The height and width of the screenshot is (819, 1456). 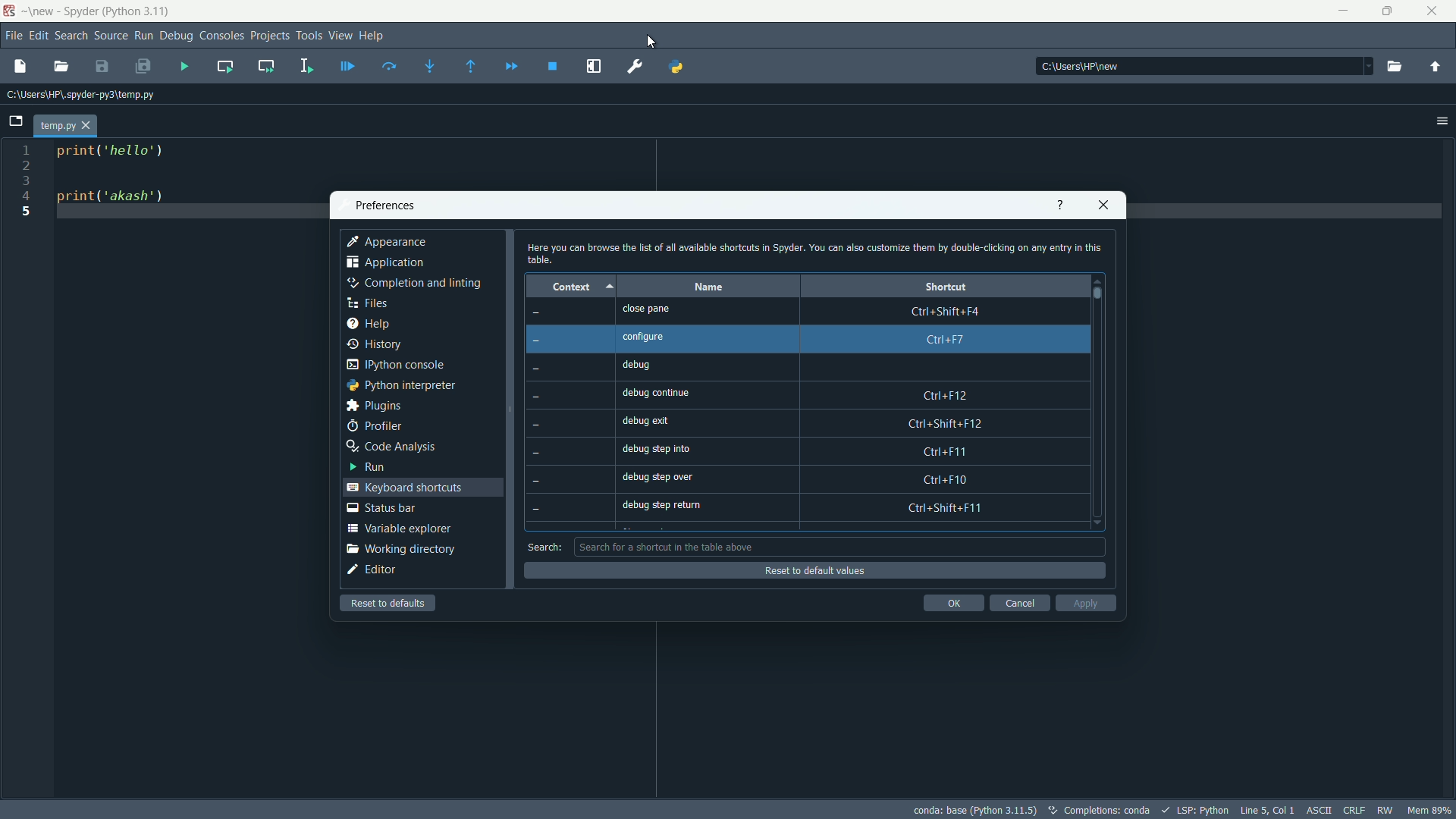 I want to click on reset to default, so click(x=390, y=603).